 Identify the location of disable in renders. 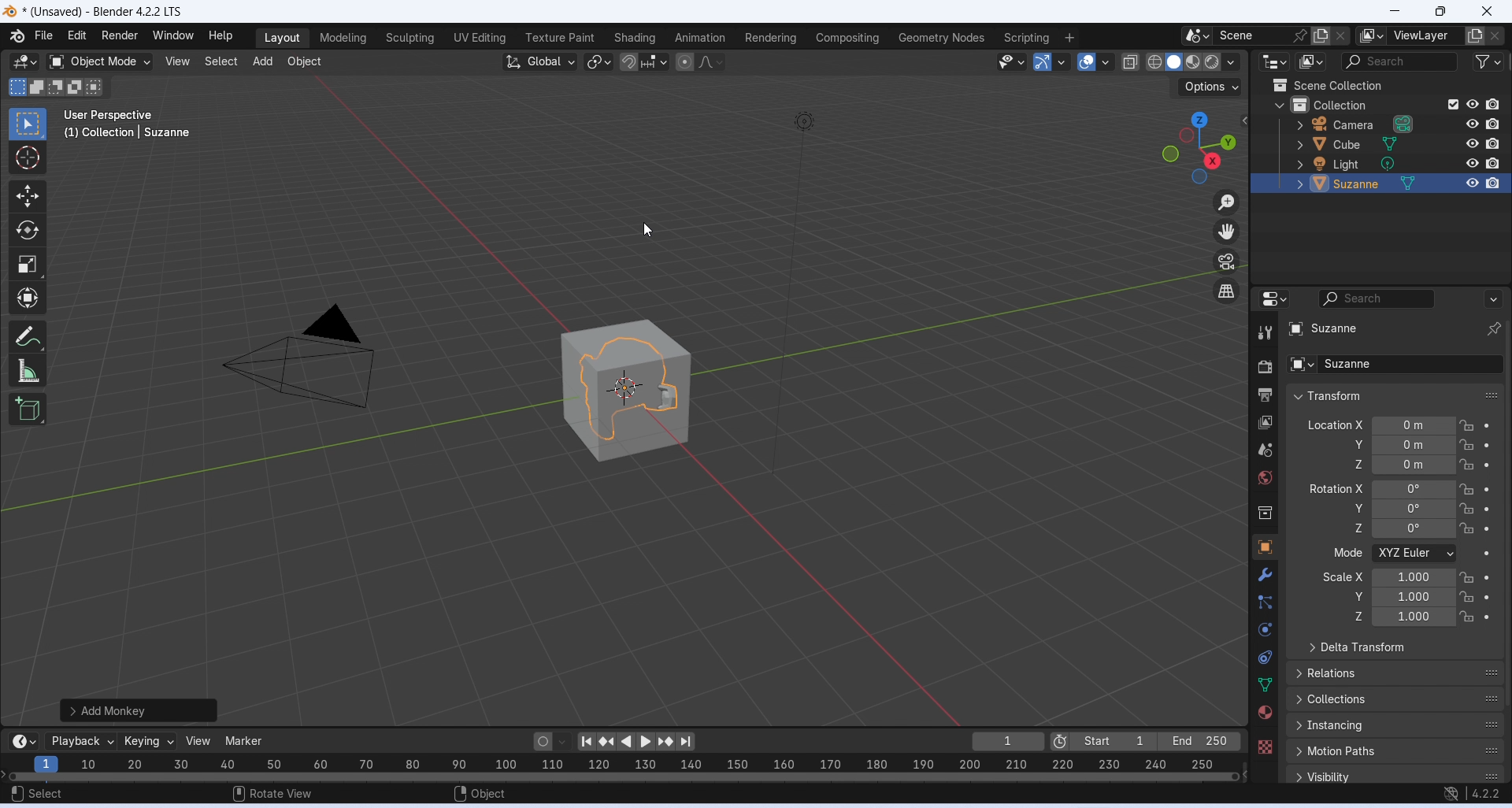
(1493, 105).